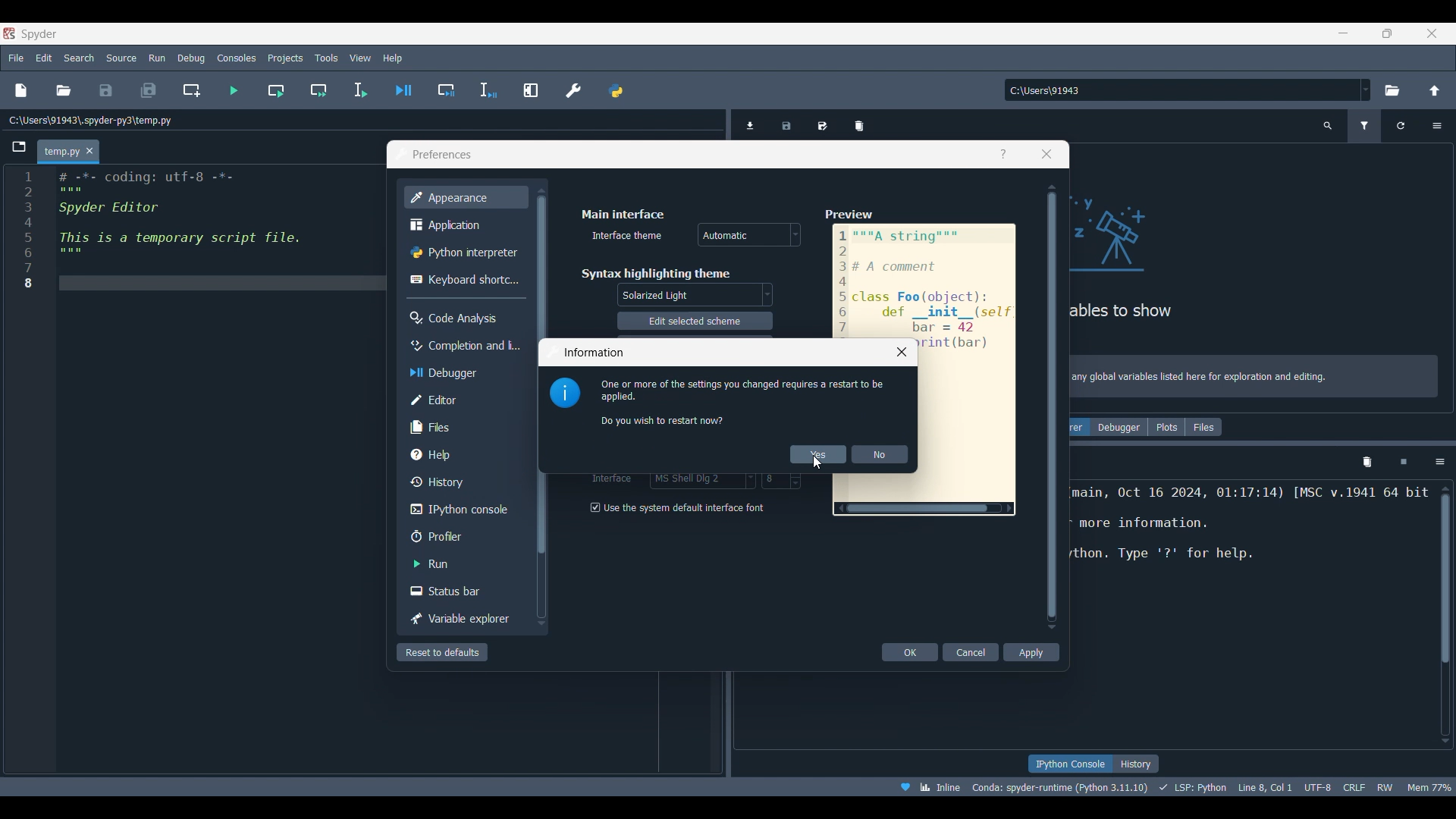 This screenshot has width=1456, height=819. I want to click on Run menu, so click(158, 58).